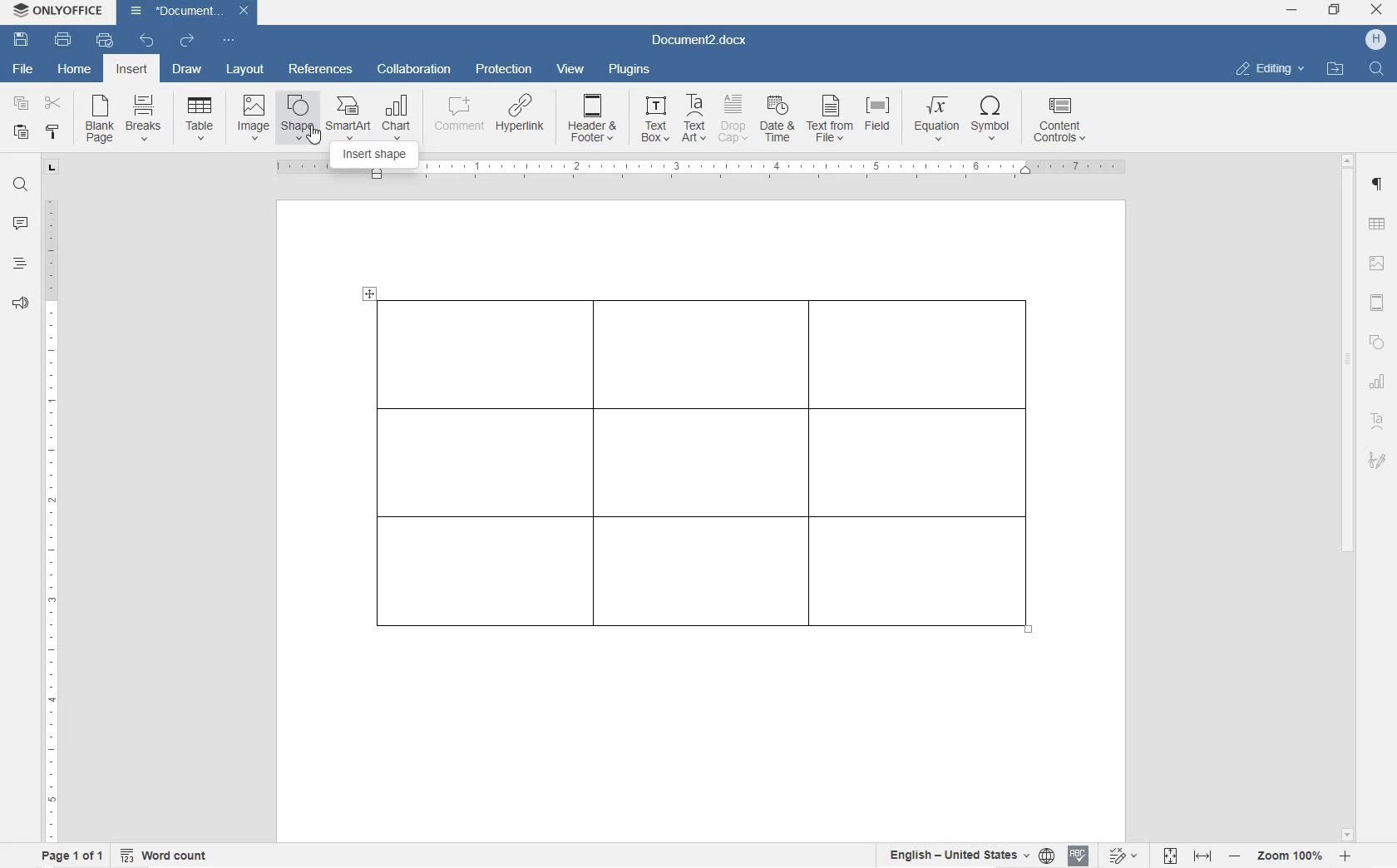 This screenshot has height=868, width=1397. I want to click on feedback & support, so click(20, 305).